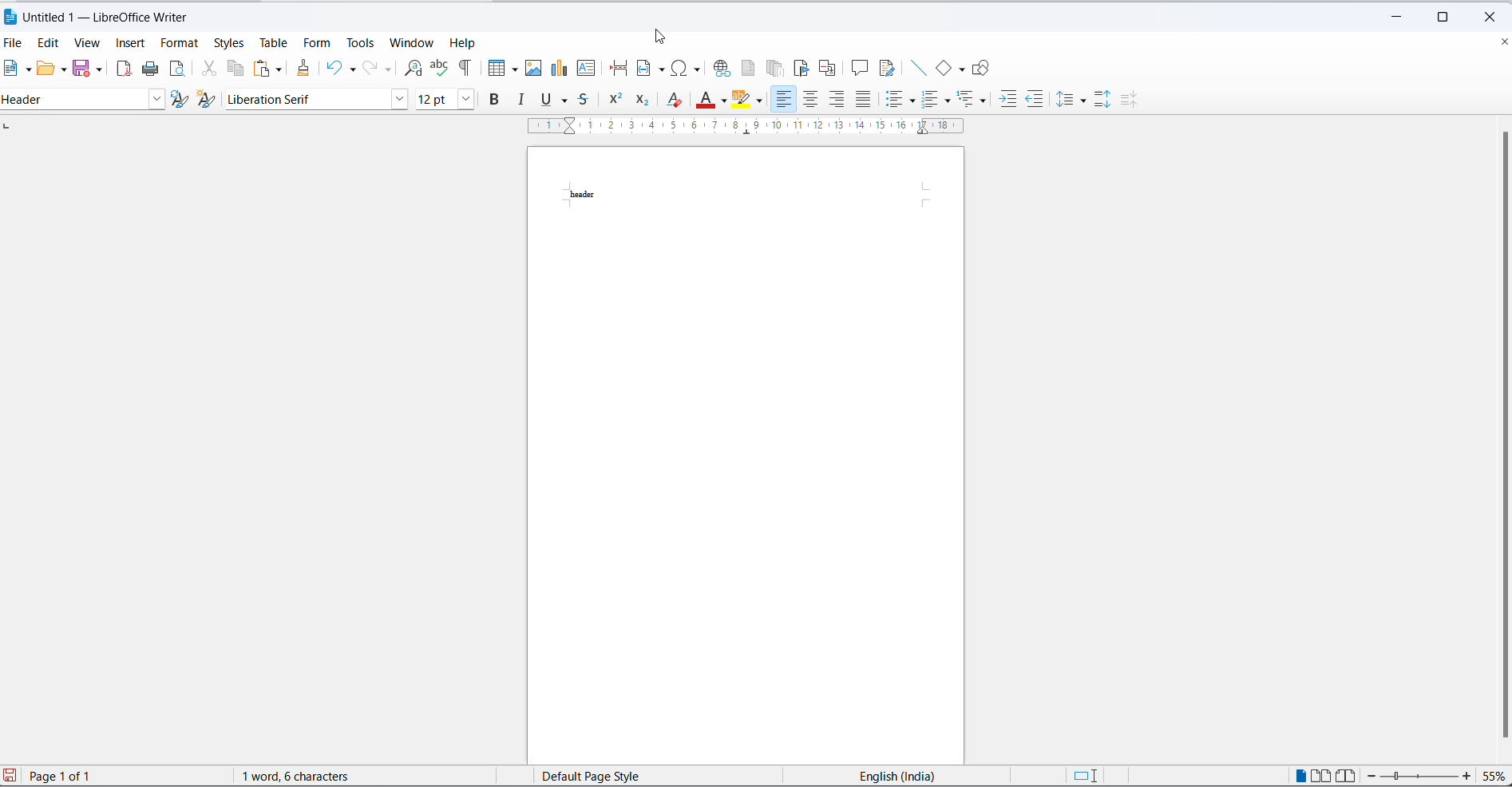  I want to click on Default paragraph style, so click(76, 99).